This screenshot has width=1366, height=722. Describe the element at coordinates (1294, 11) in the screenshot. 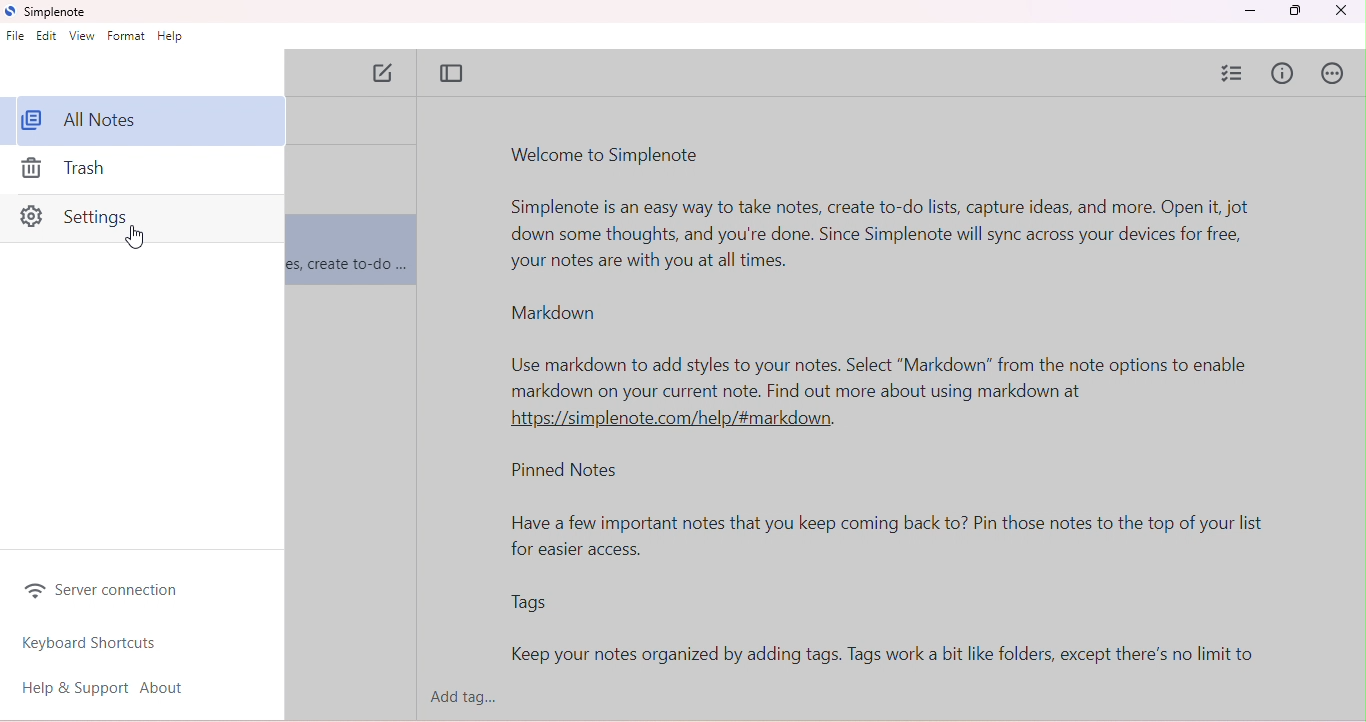

I see `maximize` at that location.